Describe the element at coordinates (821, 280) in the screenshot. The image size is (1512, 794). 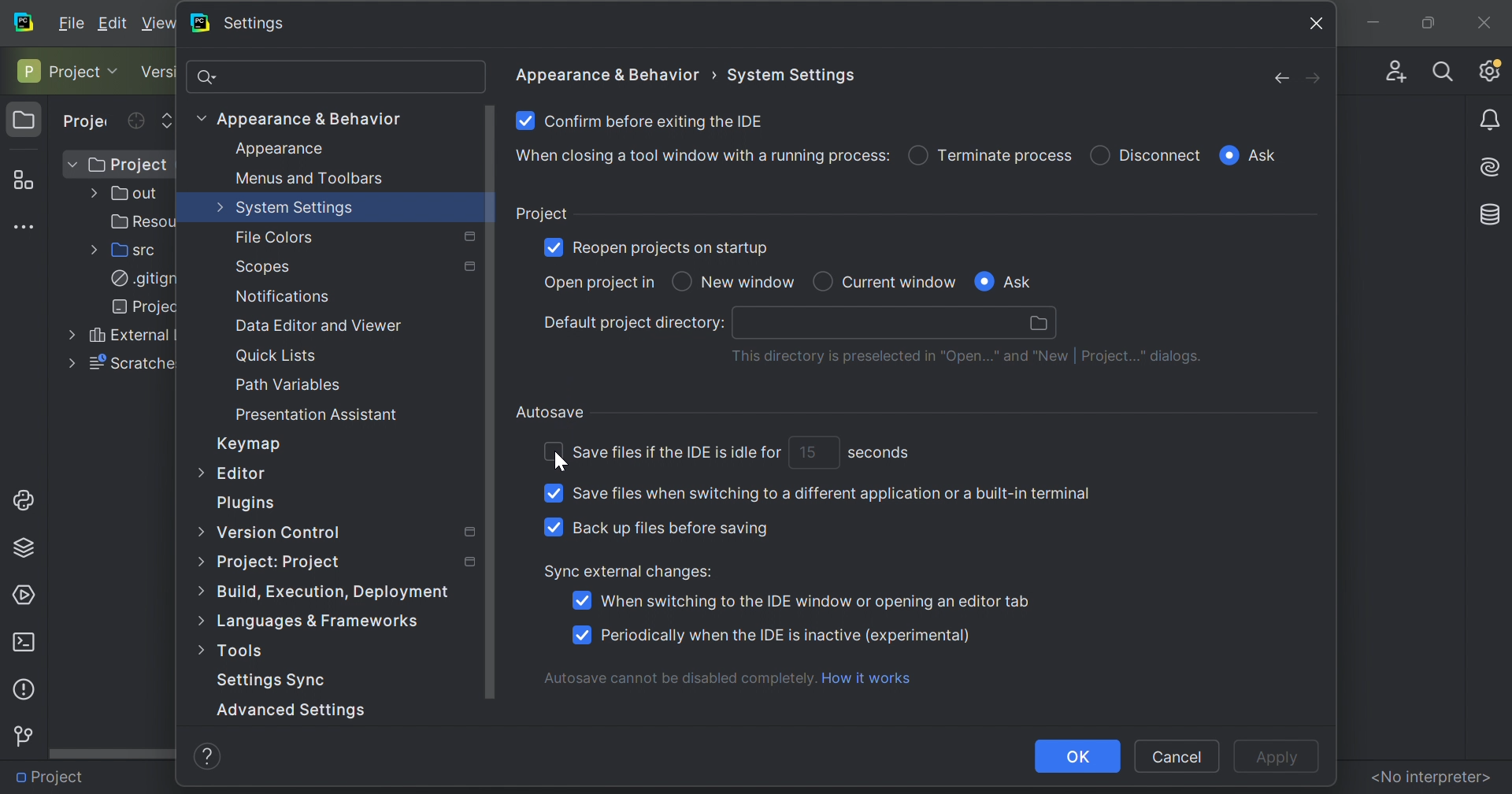
I see `Checkbox` at that location.